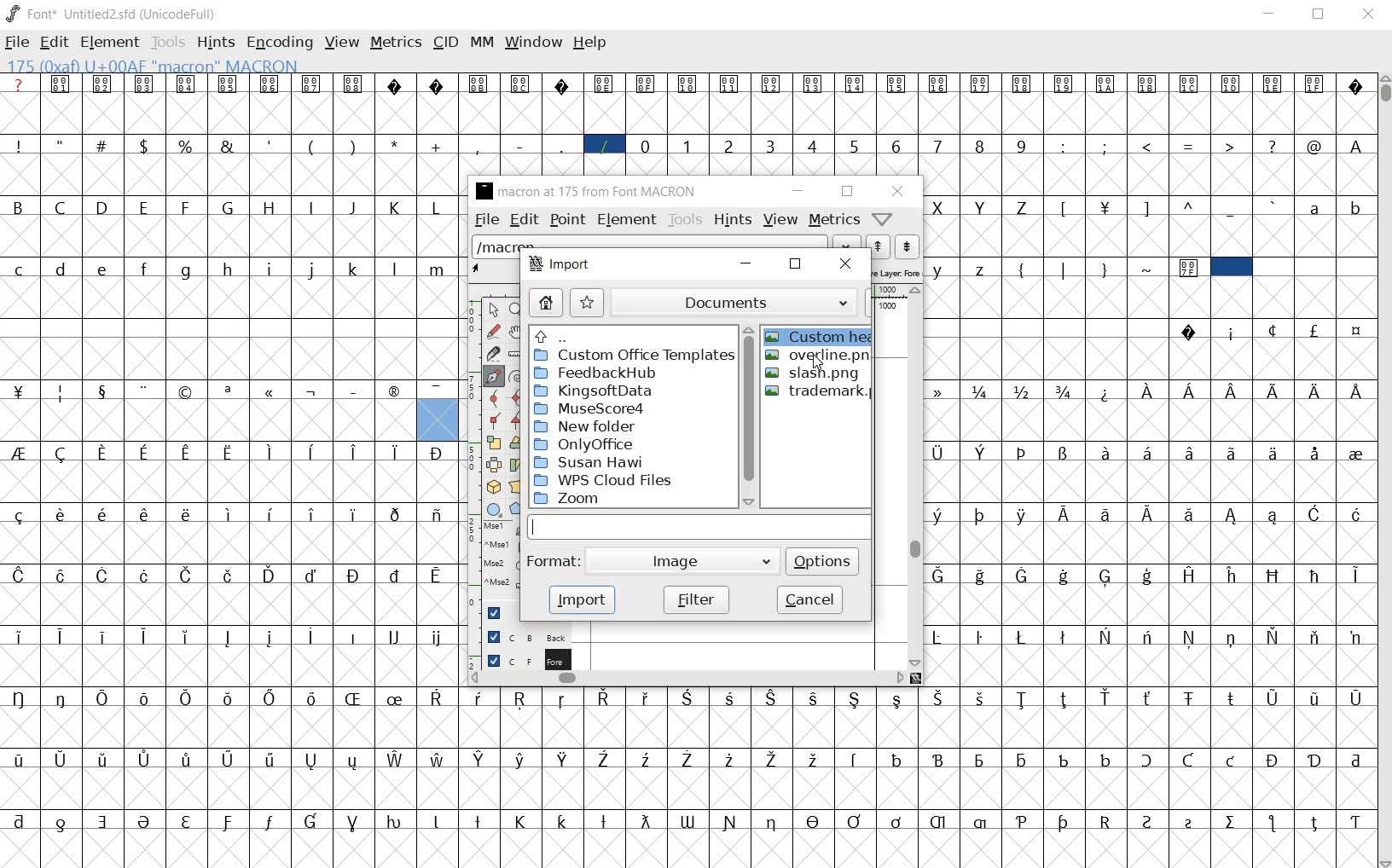 This screenshot has width=1392, height=868. Describe the element at coordinates (513, 420) in the screenshot. I see `tangent` at that location.